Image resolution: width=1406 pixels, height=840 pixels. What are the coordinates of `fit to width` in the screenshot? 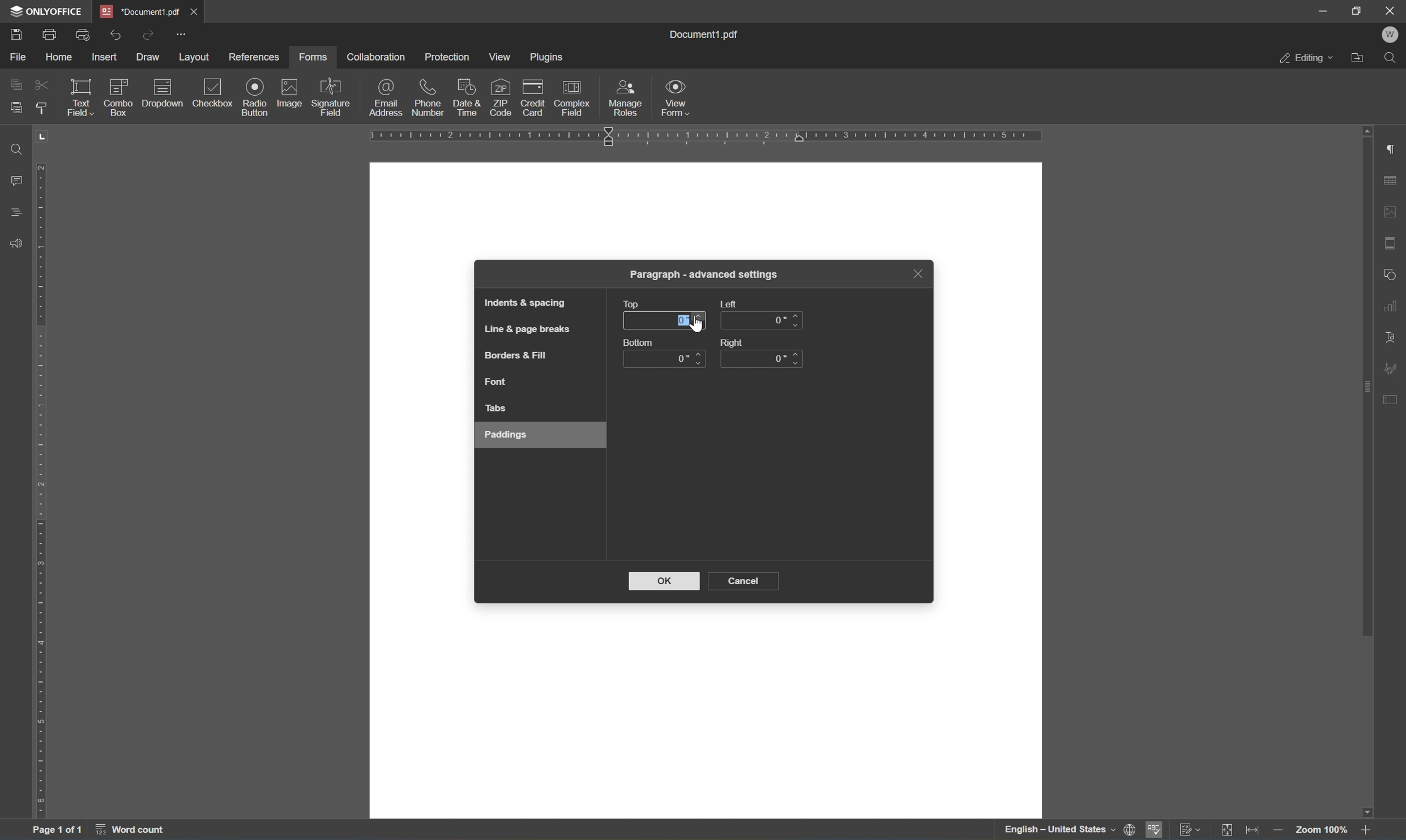 It's located at (1257, 830).